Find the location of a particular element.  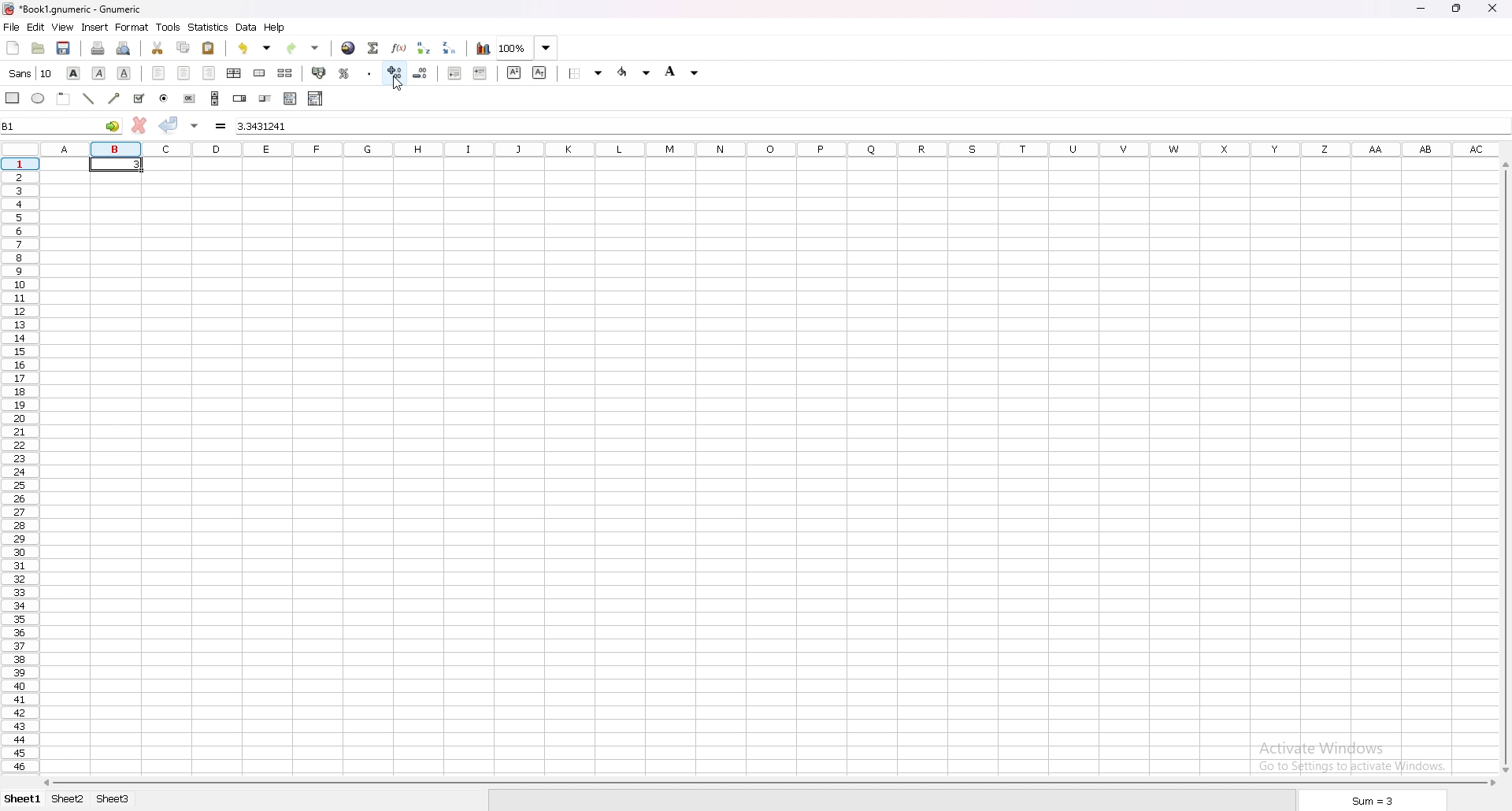

cursor is located at coordinates (396, 84).